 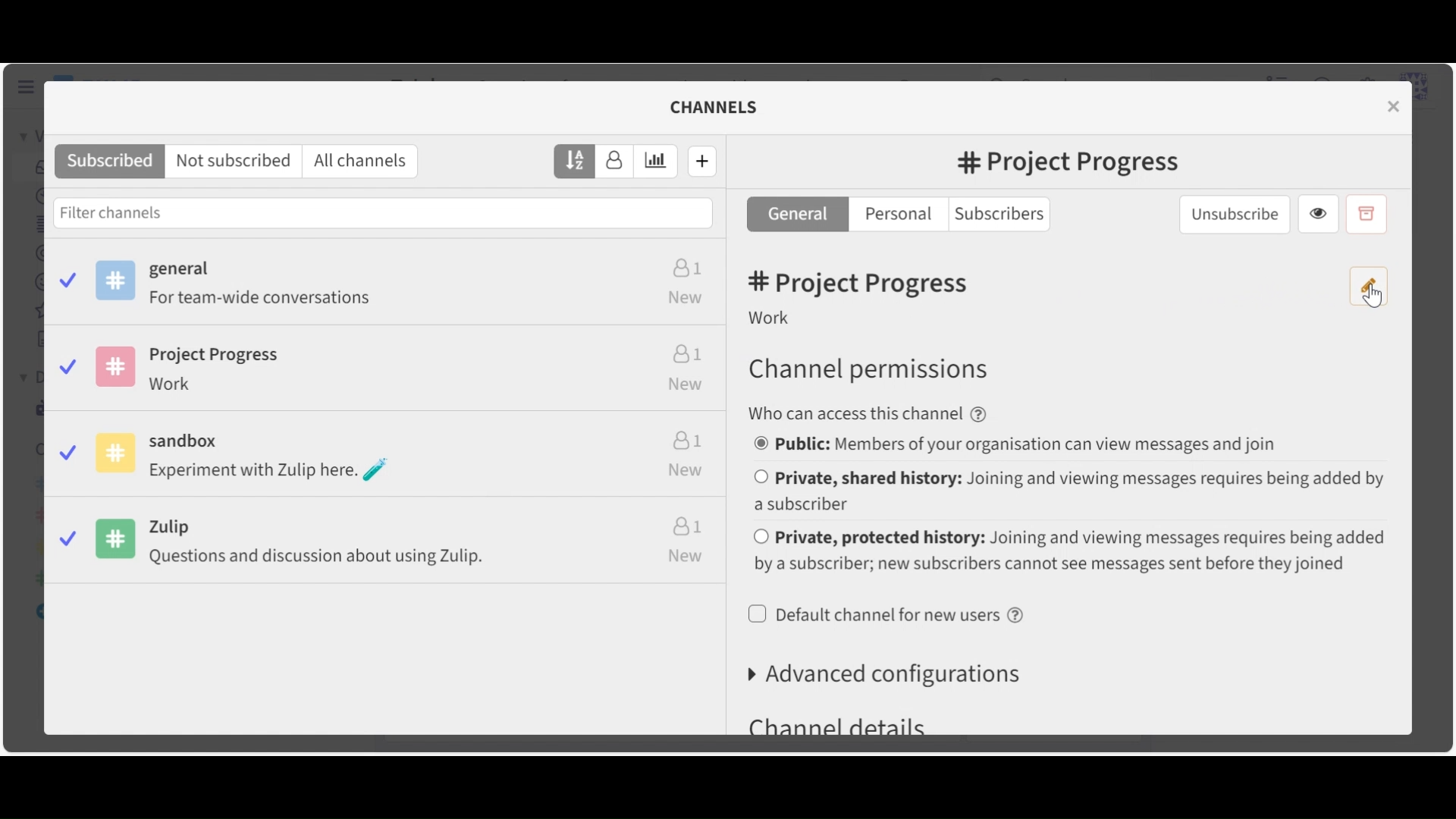 What do you see at coordinates (1395, 111) in the screenshot?
I see `close` at bounding box center [1395, 111].